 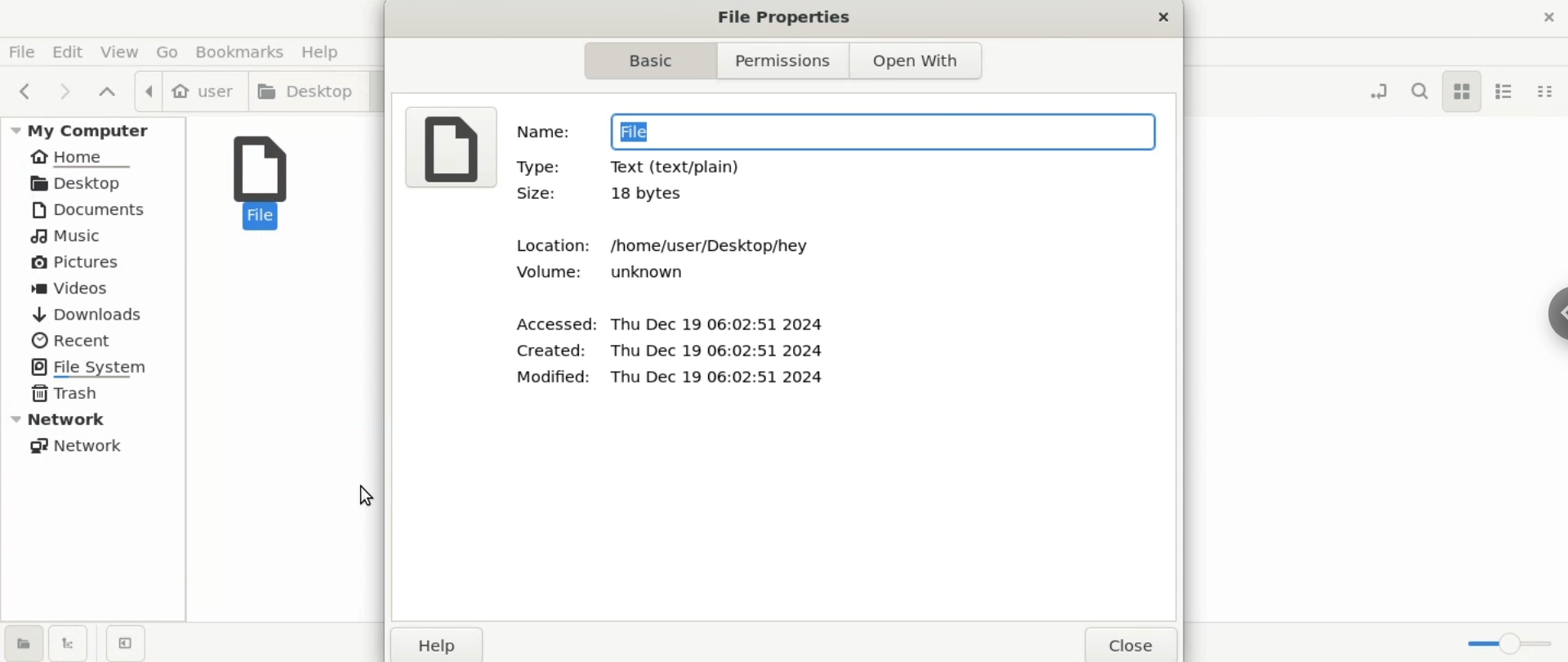 What do you see at coordinates (366, 497) in the screenshot?
I see `cursor` at bounding box center [366, 497].